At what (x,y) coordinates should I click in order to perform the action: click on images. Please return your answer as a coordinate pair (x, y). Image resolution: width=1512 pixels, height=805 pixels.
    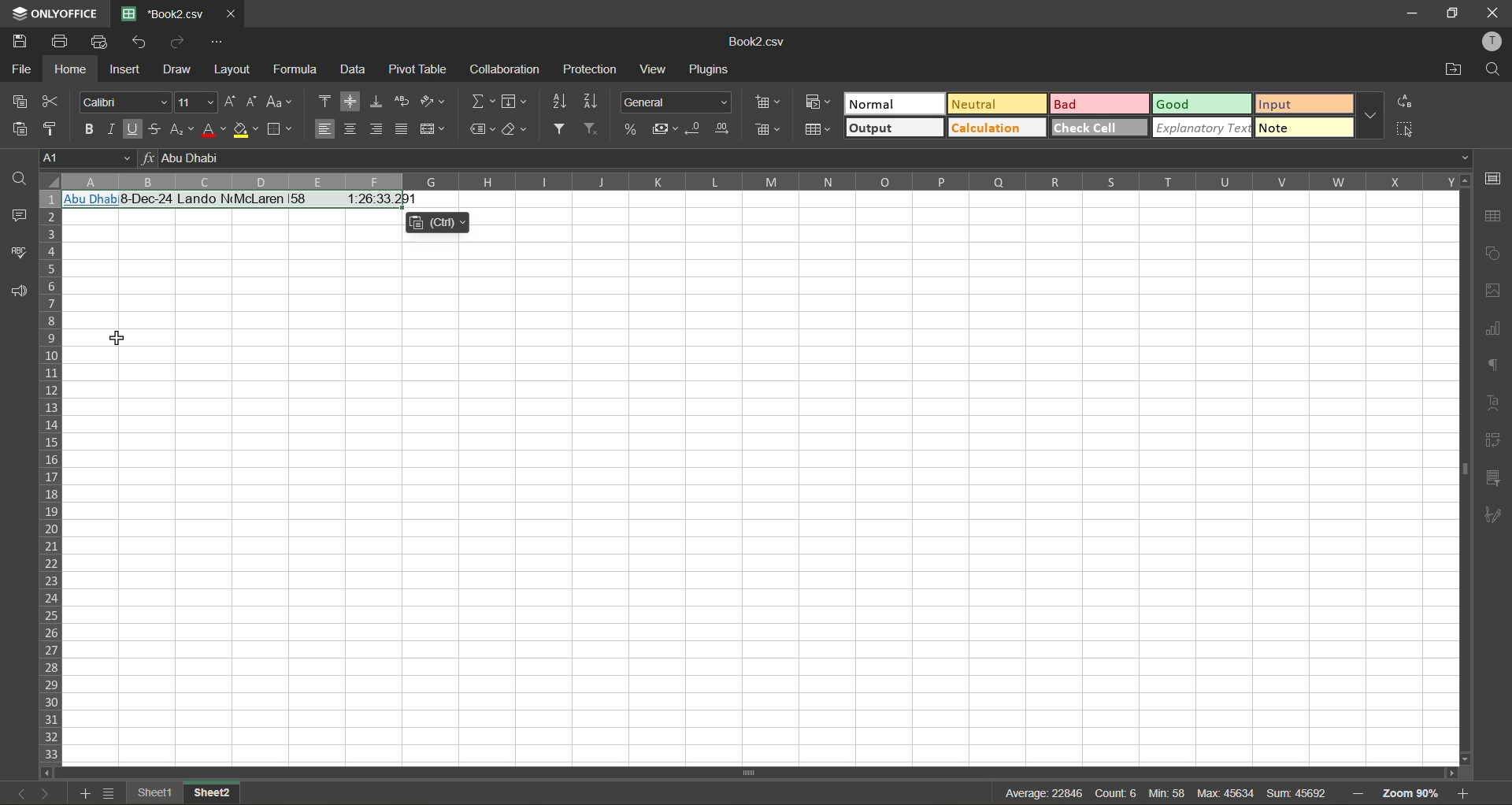
    Looking at the image, I should click on (1494, 291).